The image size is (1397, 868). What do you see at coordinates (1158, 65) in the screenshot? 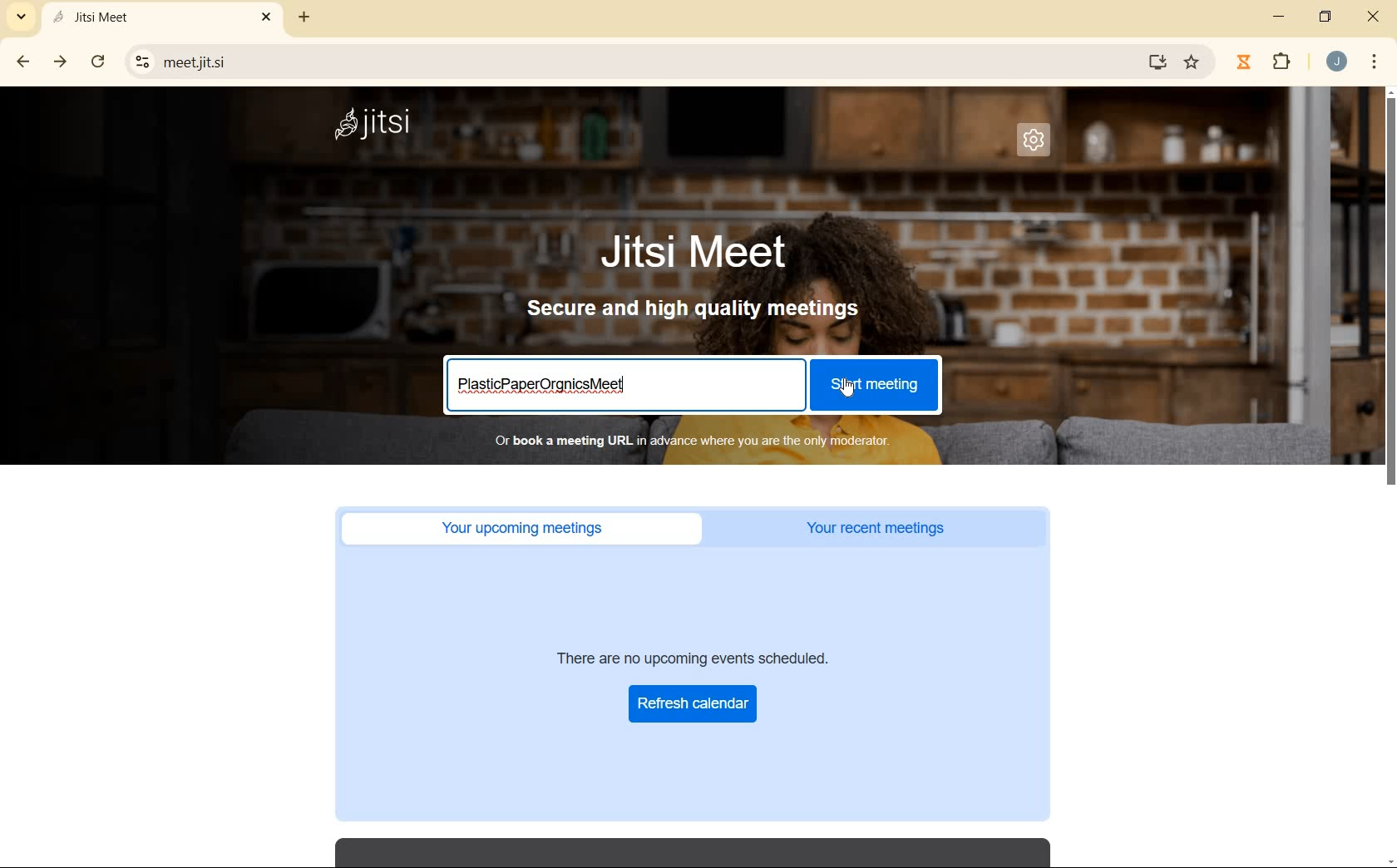
I see `install` at bounding box center [1158, 65].